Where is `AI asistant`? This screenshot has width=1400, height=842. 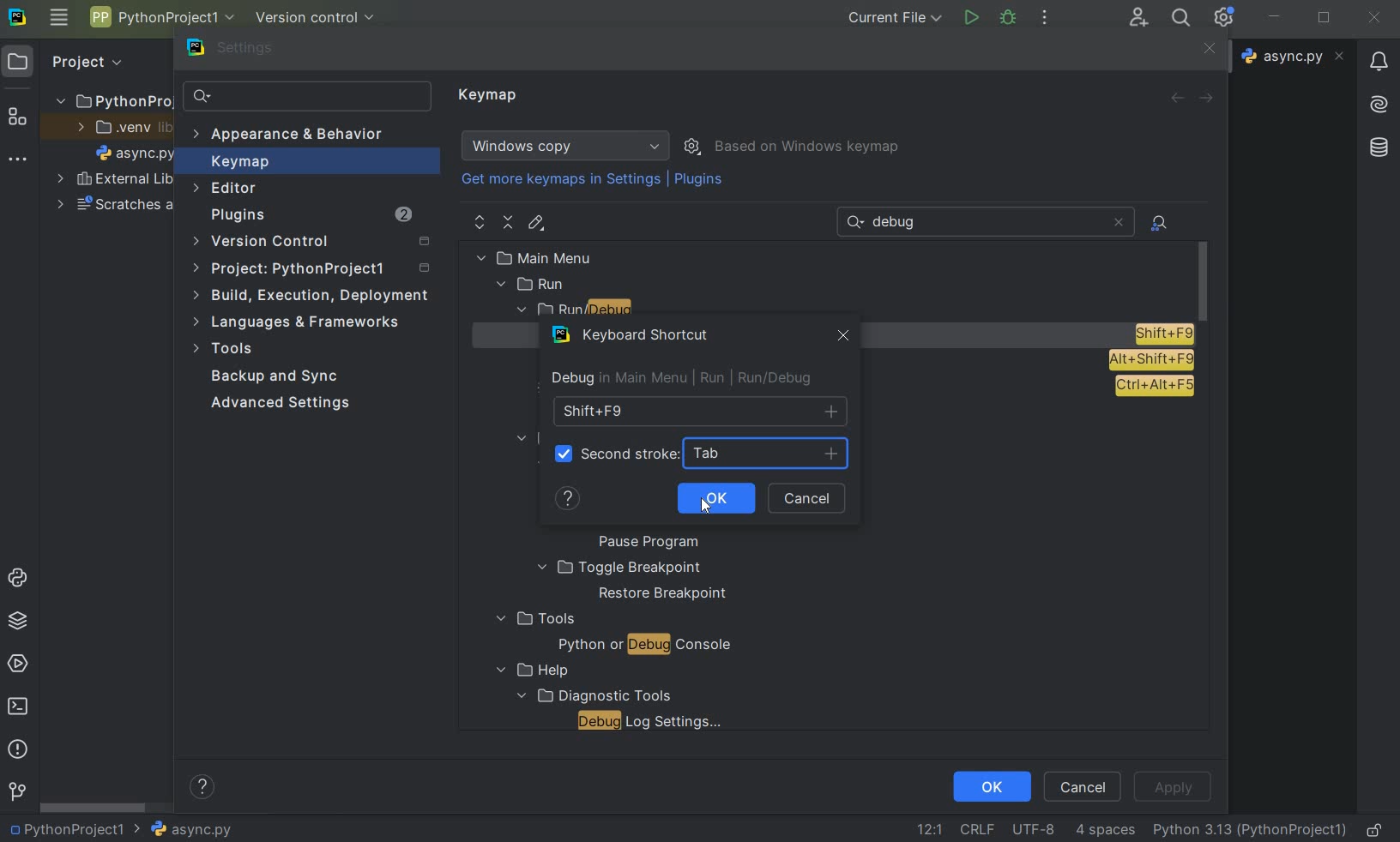
AI asistant is located at coordinates (1377, 99).